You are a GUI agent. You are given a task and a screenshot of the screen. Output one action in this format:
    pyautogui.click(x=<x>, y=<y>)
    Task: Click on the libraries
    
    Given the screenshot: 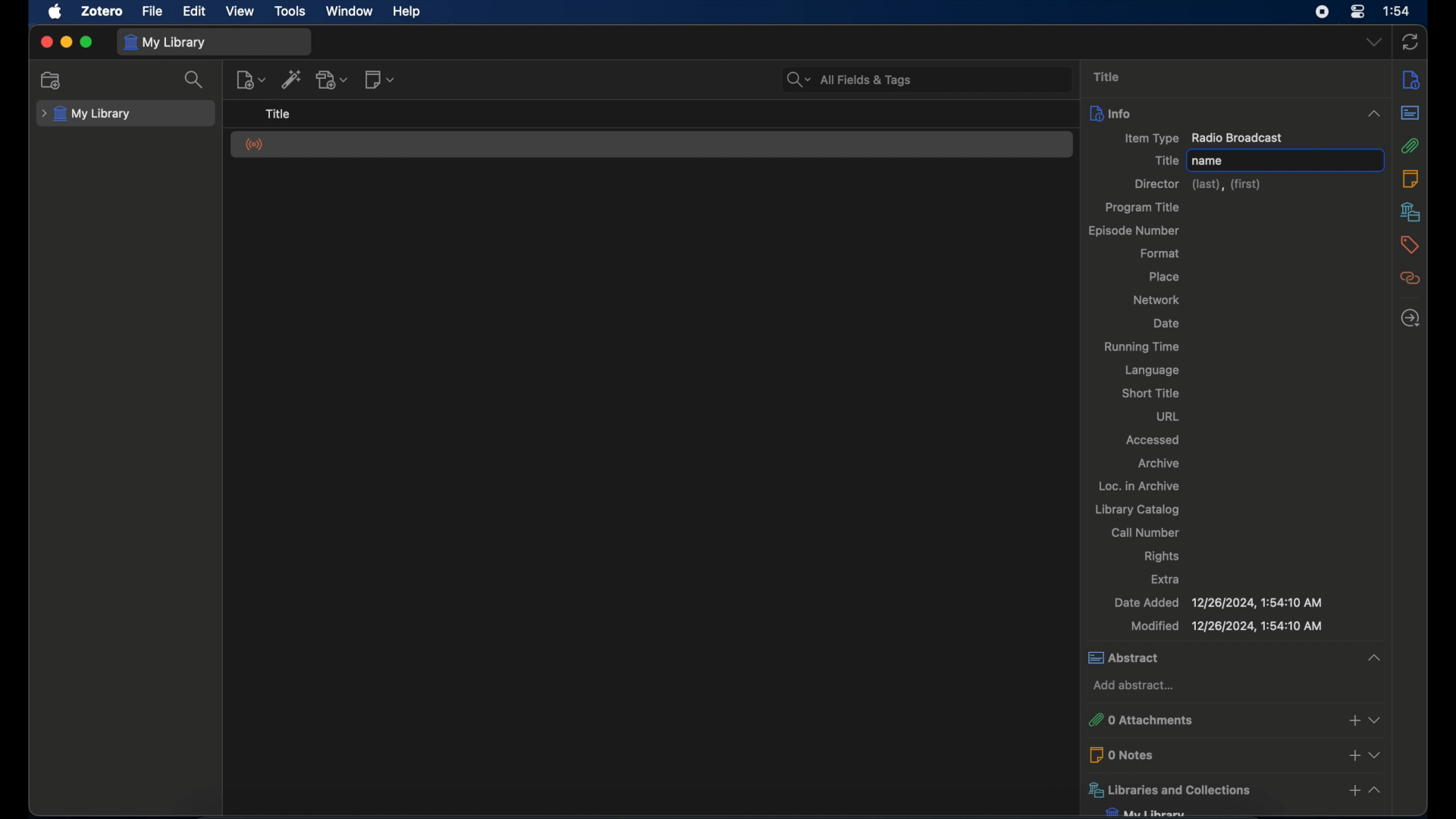 What is the action you would take?
    pyautogui.click(x=1410, y=212)
    